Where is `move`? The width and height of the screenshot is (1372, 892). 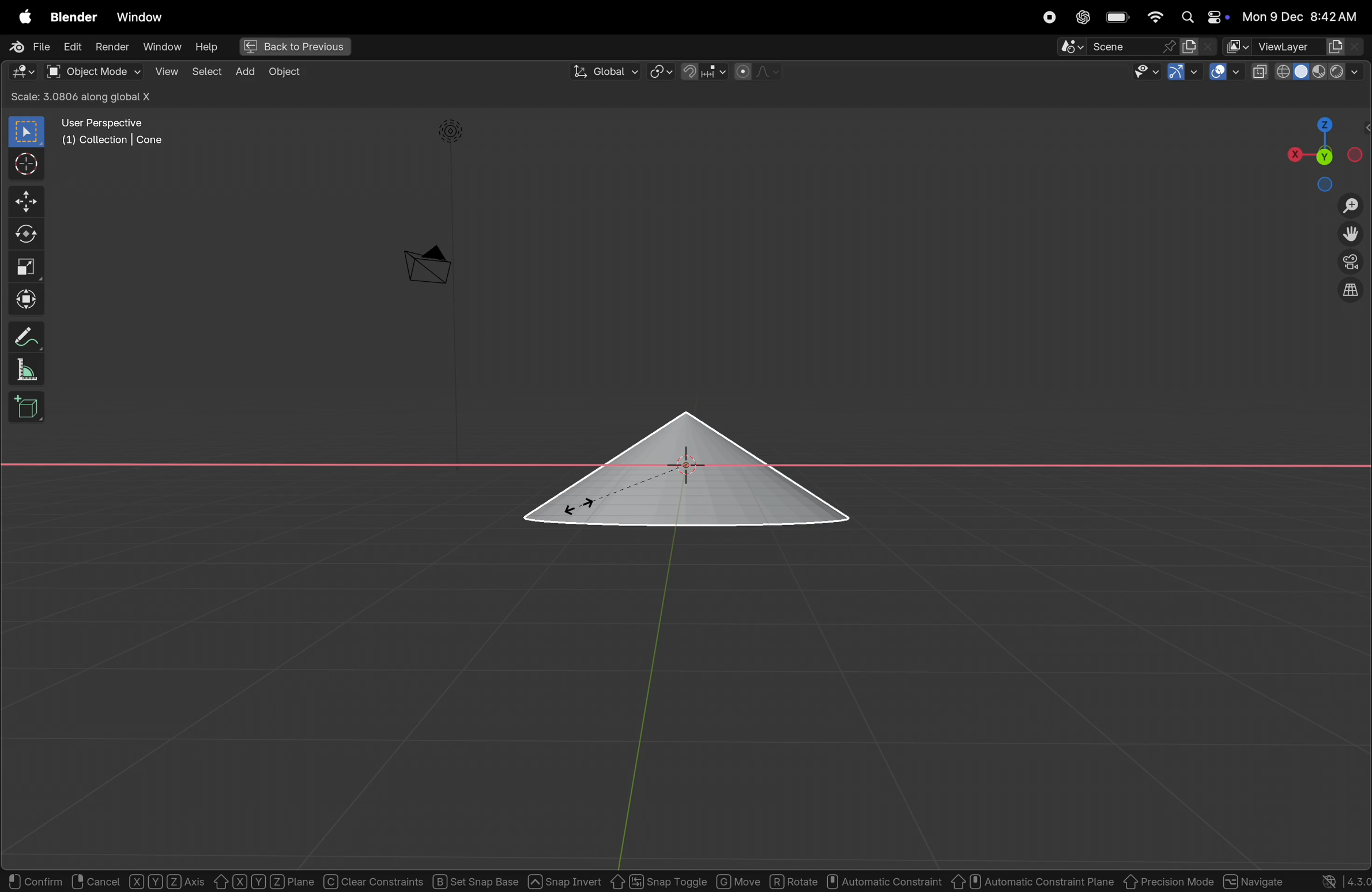
move is located at coordinates (739, 881).